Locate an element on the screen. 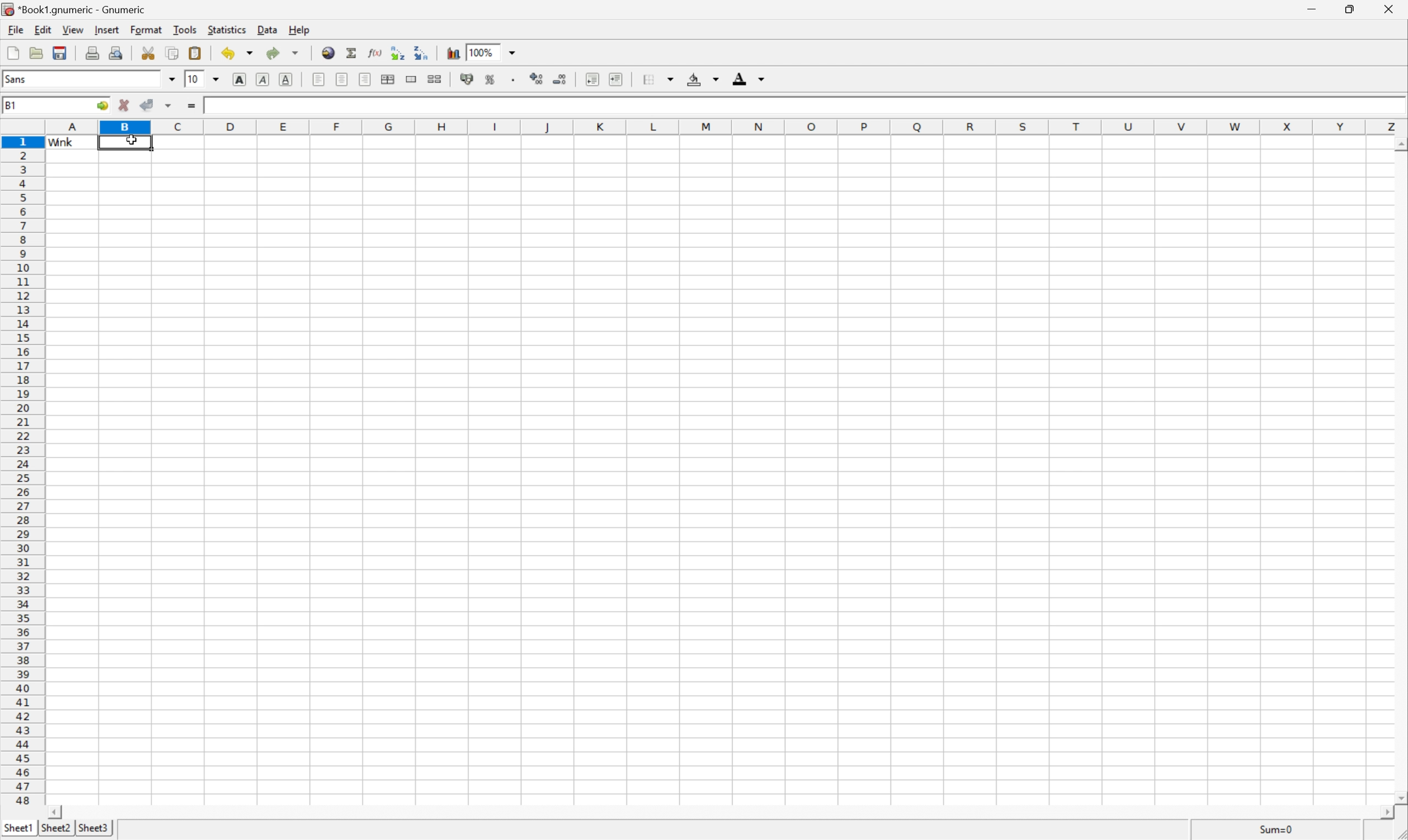 This screenshot has width=1408, height=840. format selection as percentage is located at coordinates (492, 79).